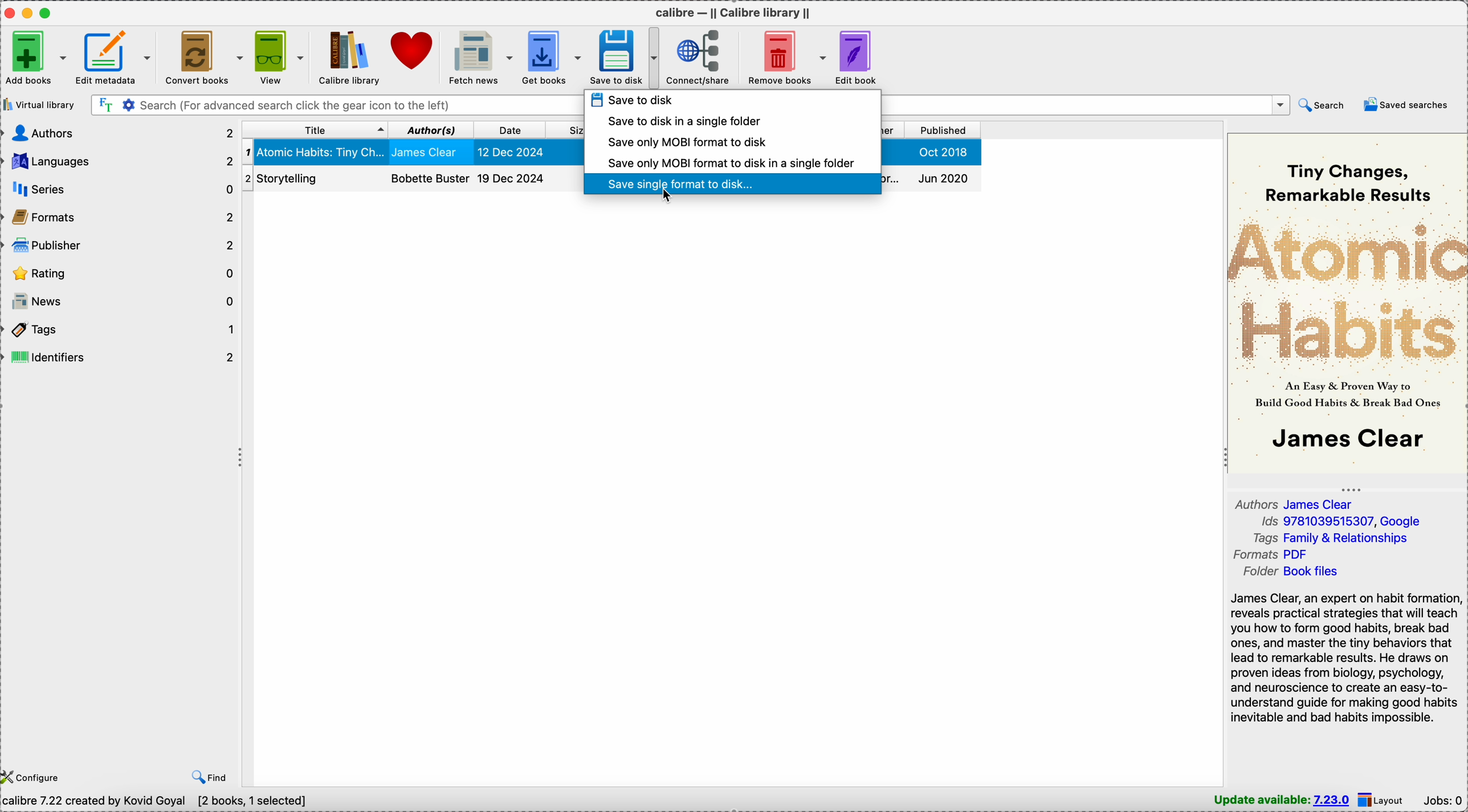 The height and width of the screenshot is (812, 1468). I want to click on date, so click(511, 130).